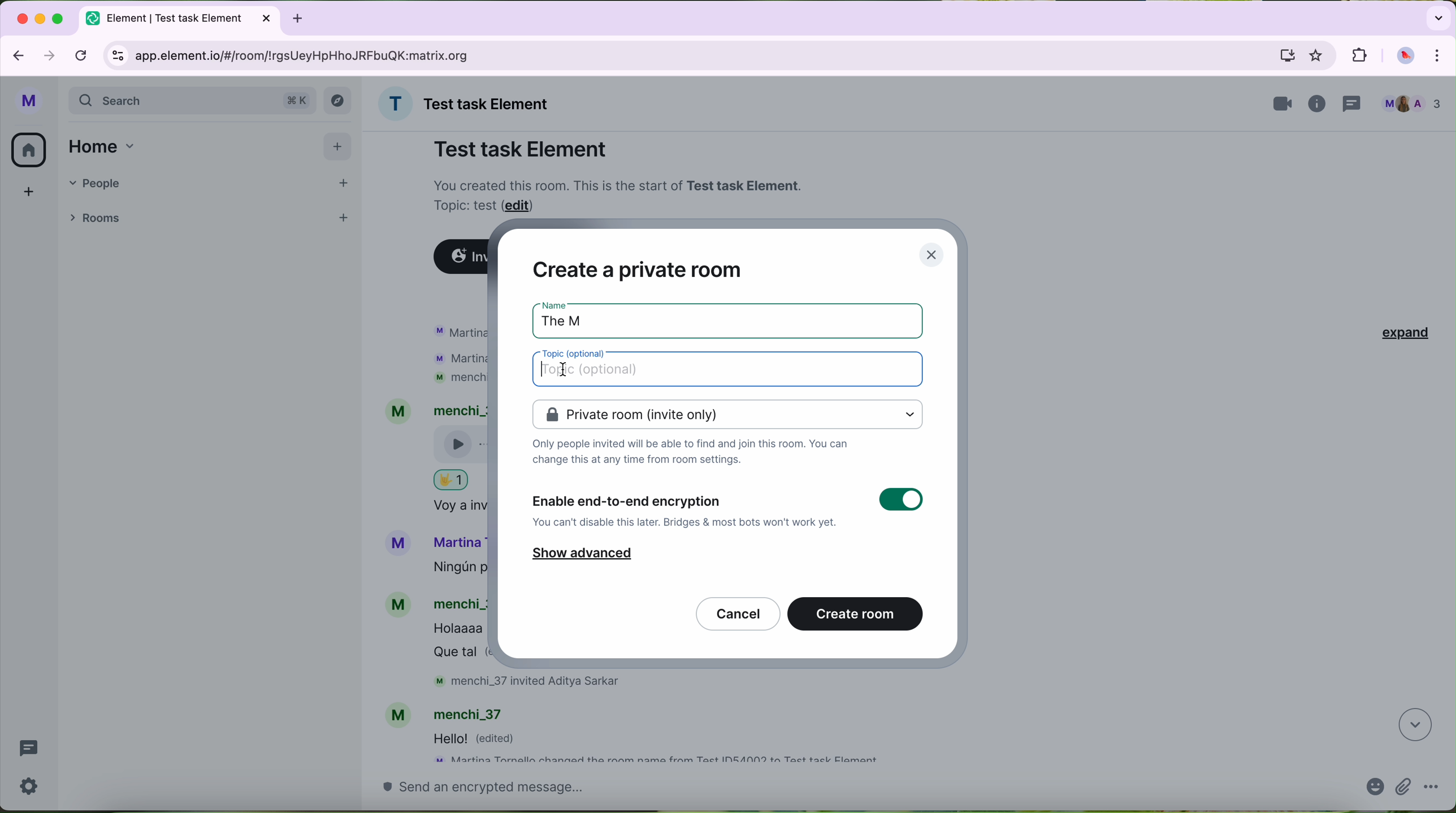 The height and width of the screenshot is (813, 1456). Describe the element at coordinates (29, 150) in the screenshot. I see `home button` at that location.